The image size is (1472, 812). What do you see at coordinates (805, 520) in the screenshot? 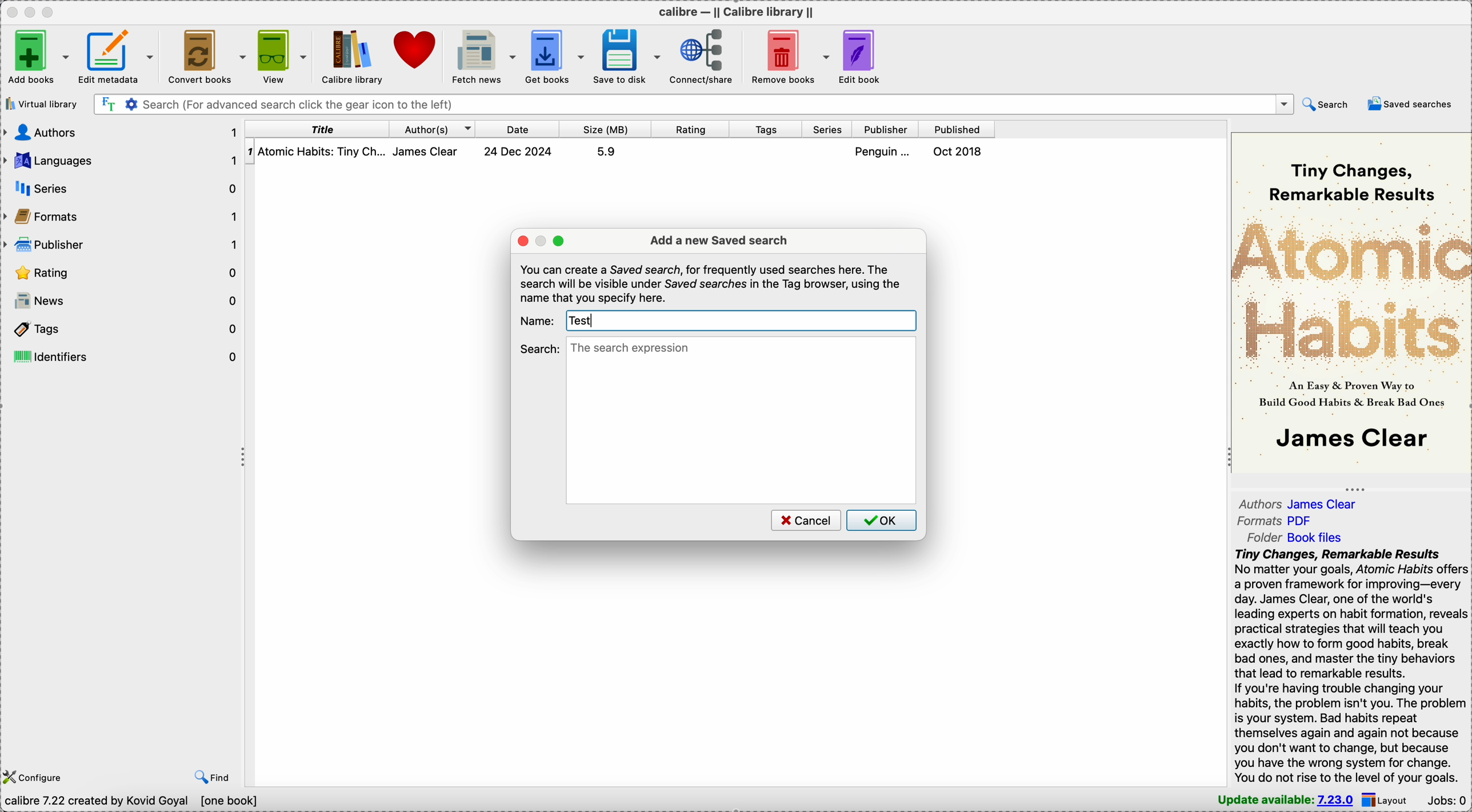
I see `cancel` at bounding box center [805, 520].